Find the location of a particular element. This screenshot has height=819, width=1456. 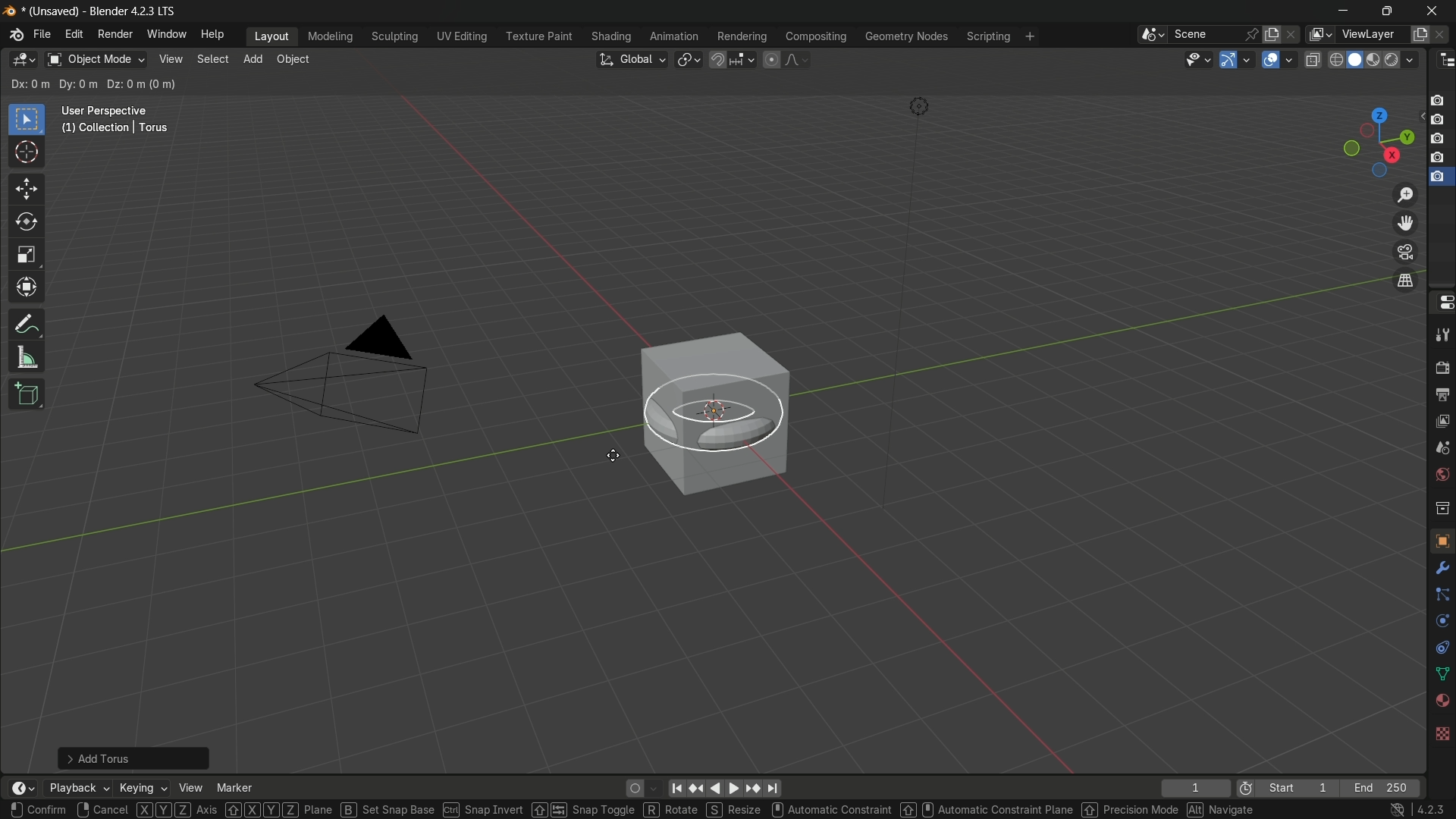

file menu is located at coordinates (42, 34).